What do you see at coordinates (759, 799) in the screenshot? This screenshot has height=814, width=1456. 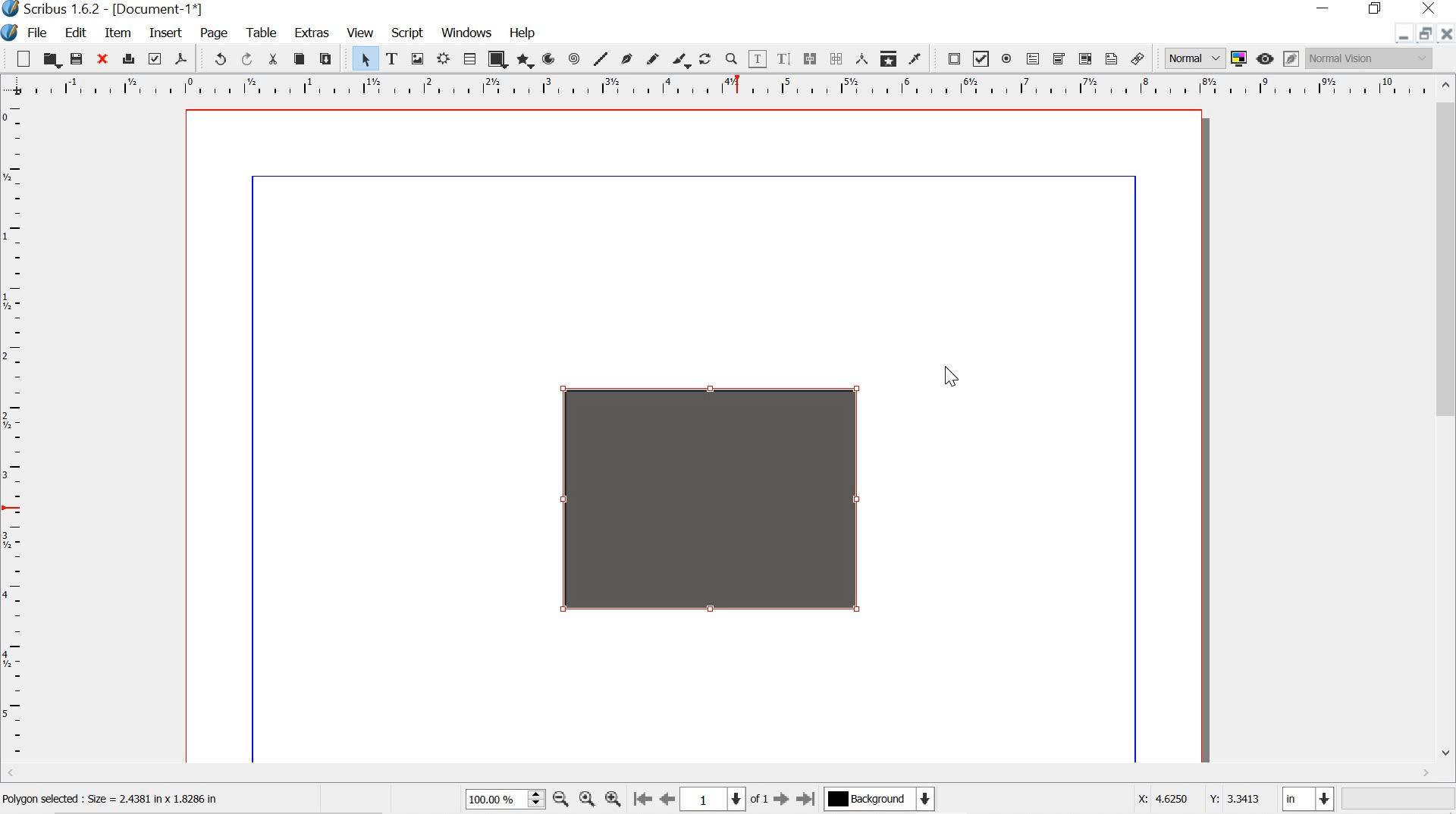 I see `of 1` at bounding box center [759, 799].